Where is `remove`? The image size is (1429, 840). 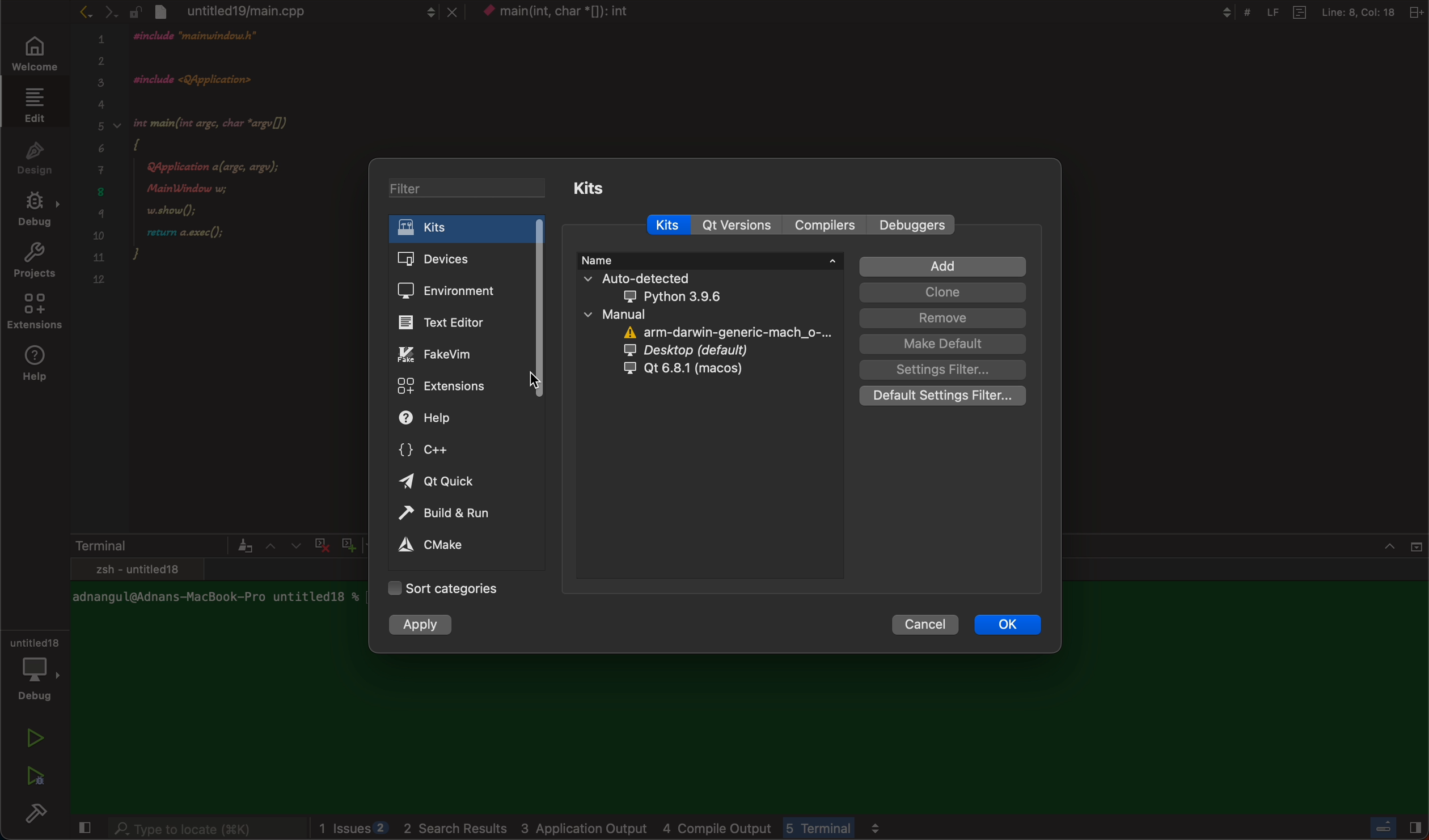 remove is located at coordinates (943, 318).